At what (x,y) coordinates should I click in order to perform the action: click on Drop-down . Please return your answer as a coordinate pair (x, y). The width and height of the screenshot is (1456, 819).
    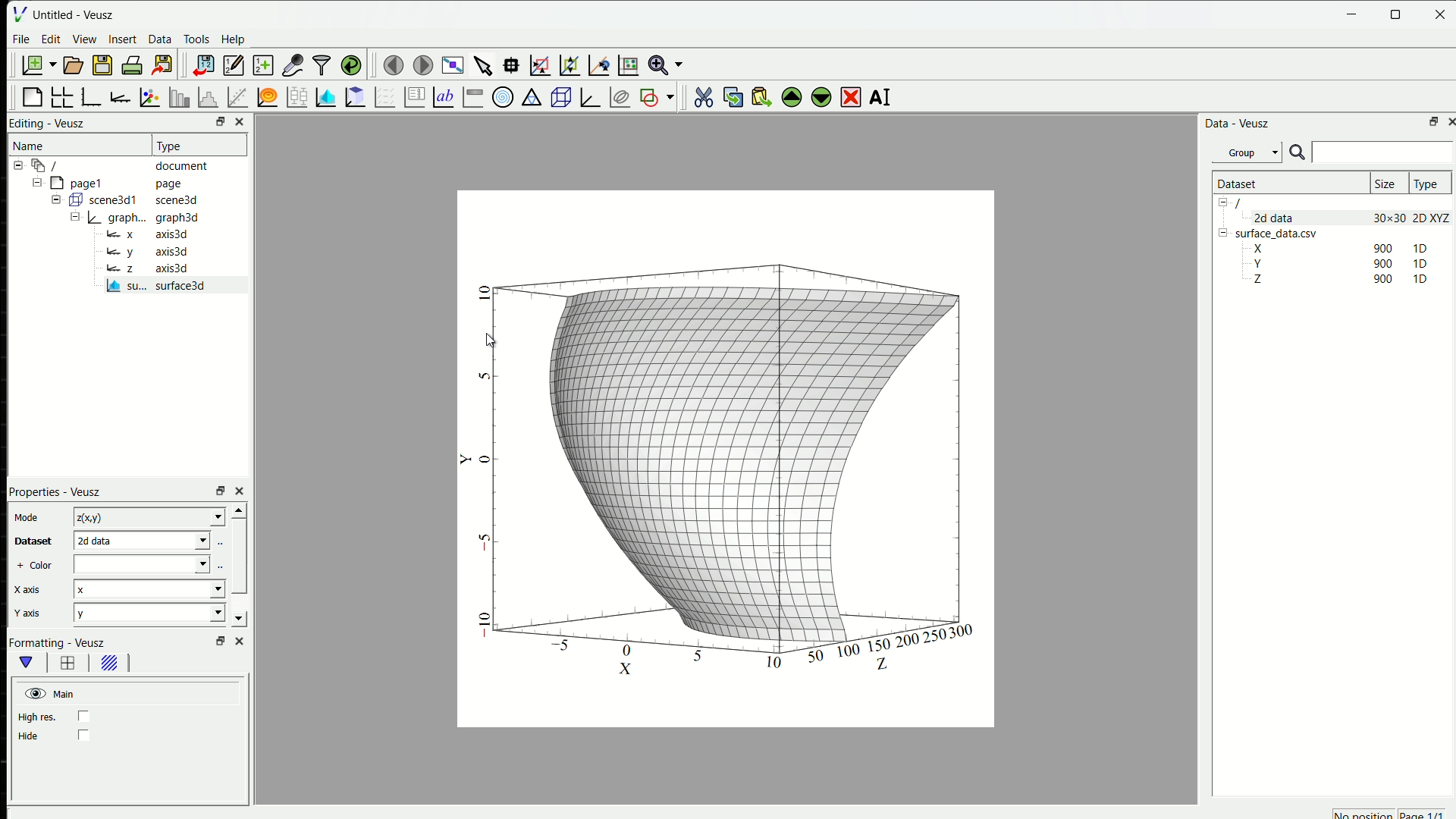
    Looking at the image, I should click on (218, 589).